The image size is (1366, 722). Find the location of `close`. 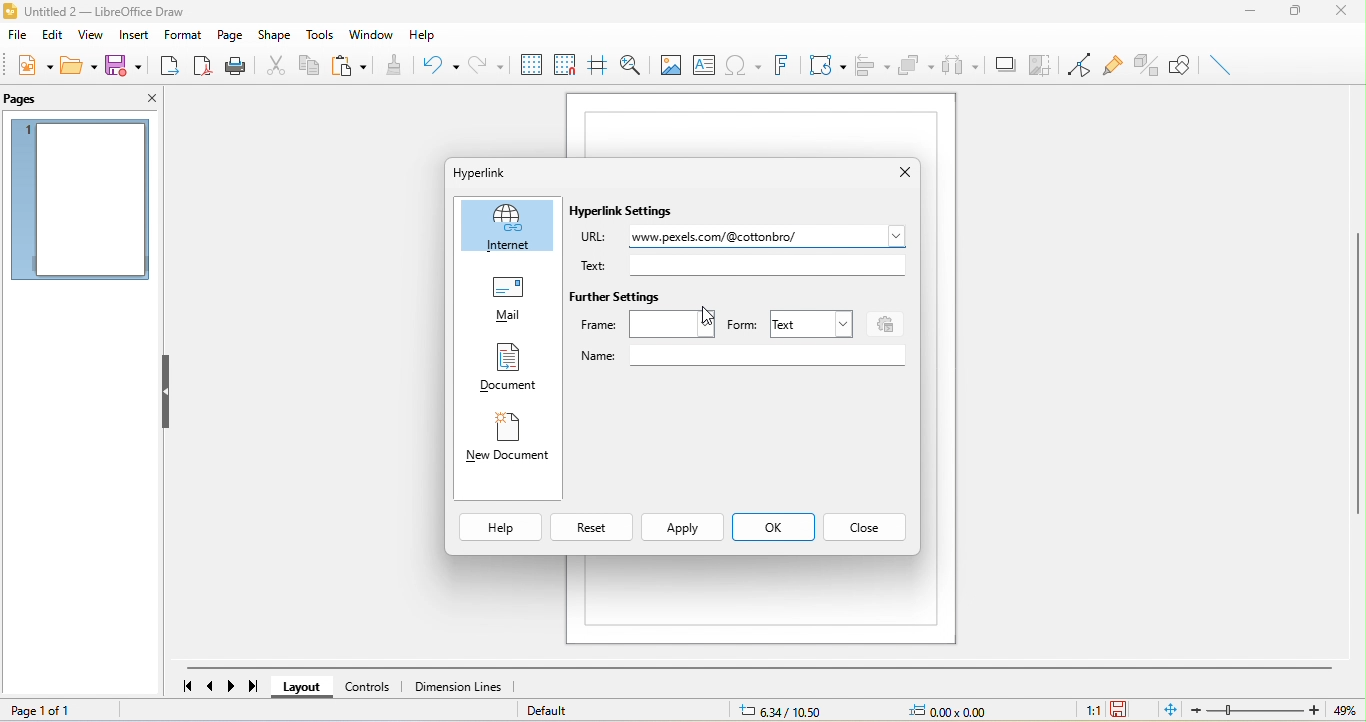

close is located at coordinates (147, 97).